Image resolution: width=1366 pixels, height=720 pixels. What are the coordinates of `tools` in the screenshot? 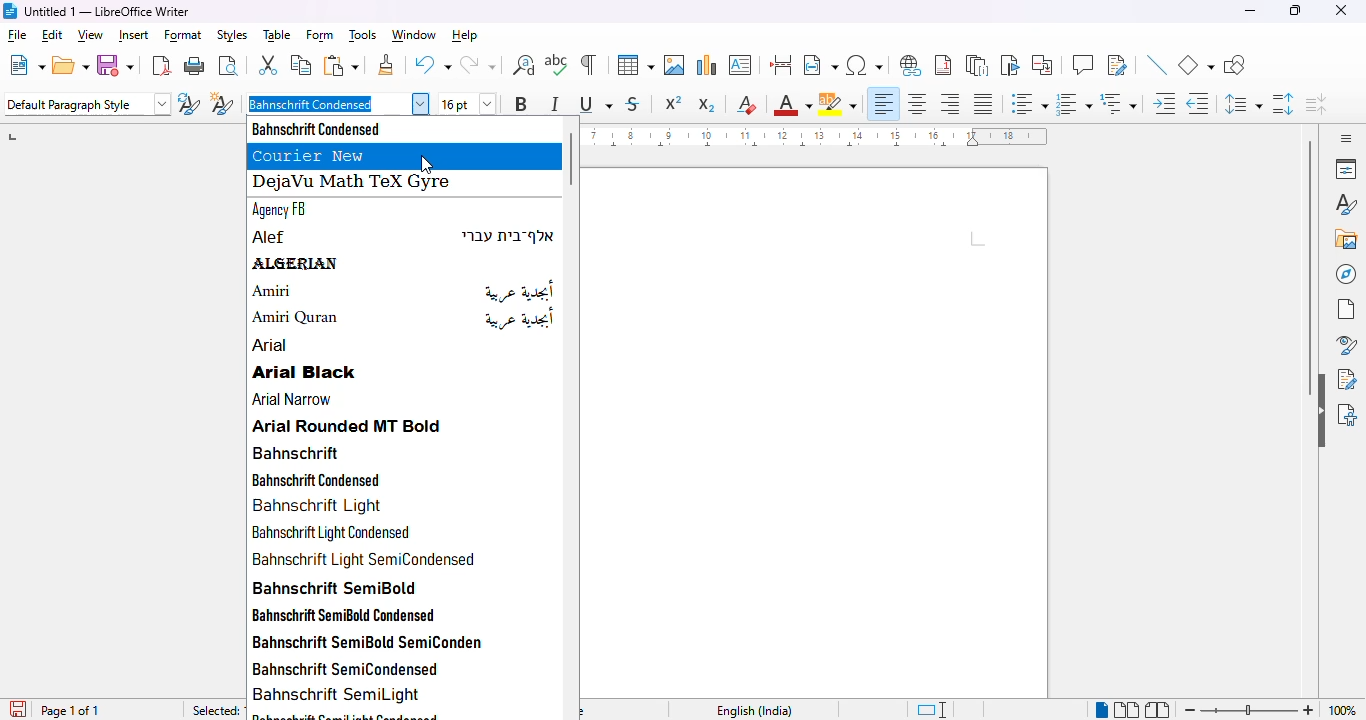 It's located at (363, 36).